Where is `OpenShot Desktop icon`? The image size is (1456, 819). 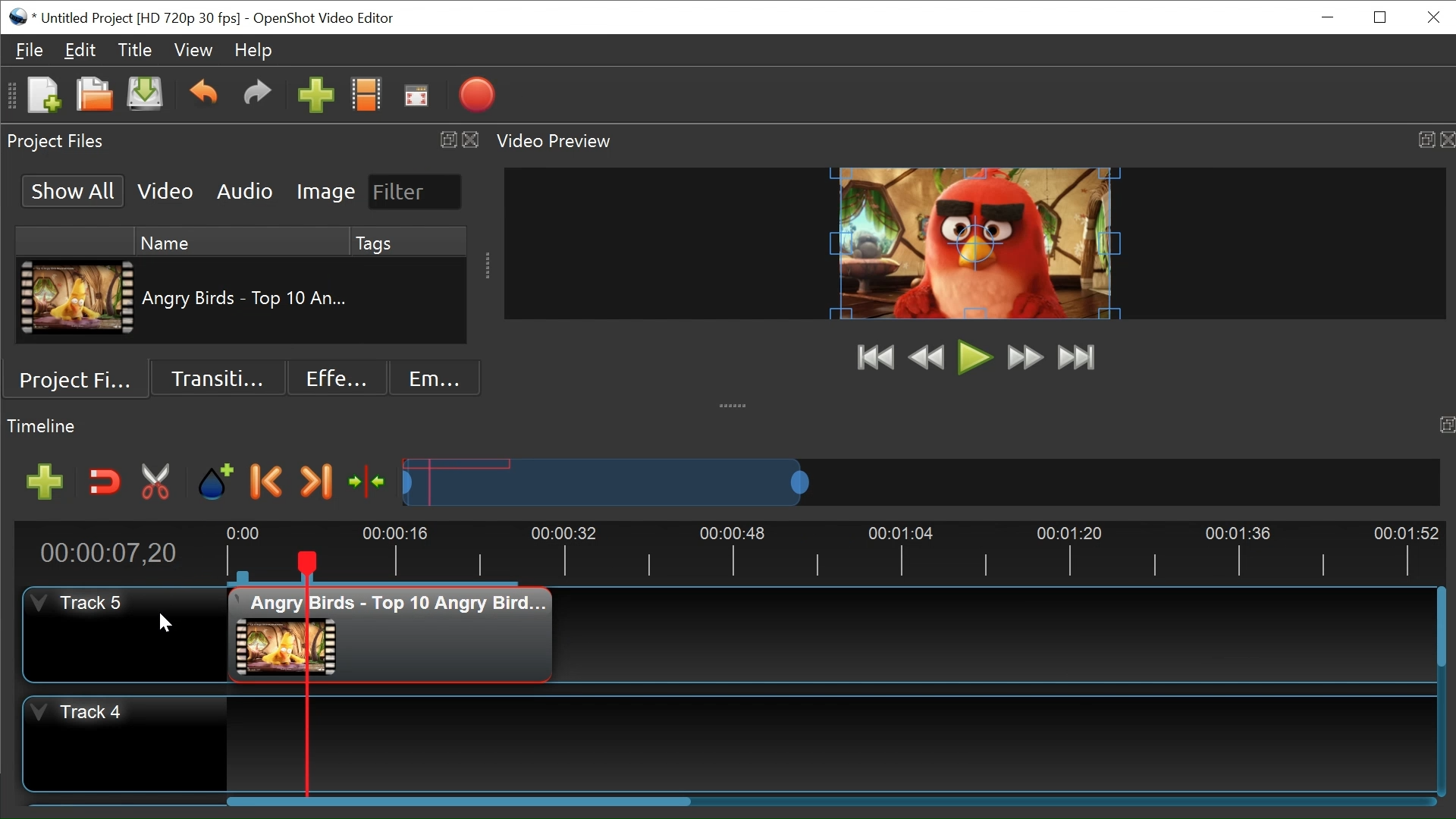 OpenShot Desktop icon is located at coordinates (21, 17).